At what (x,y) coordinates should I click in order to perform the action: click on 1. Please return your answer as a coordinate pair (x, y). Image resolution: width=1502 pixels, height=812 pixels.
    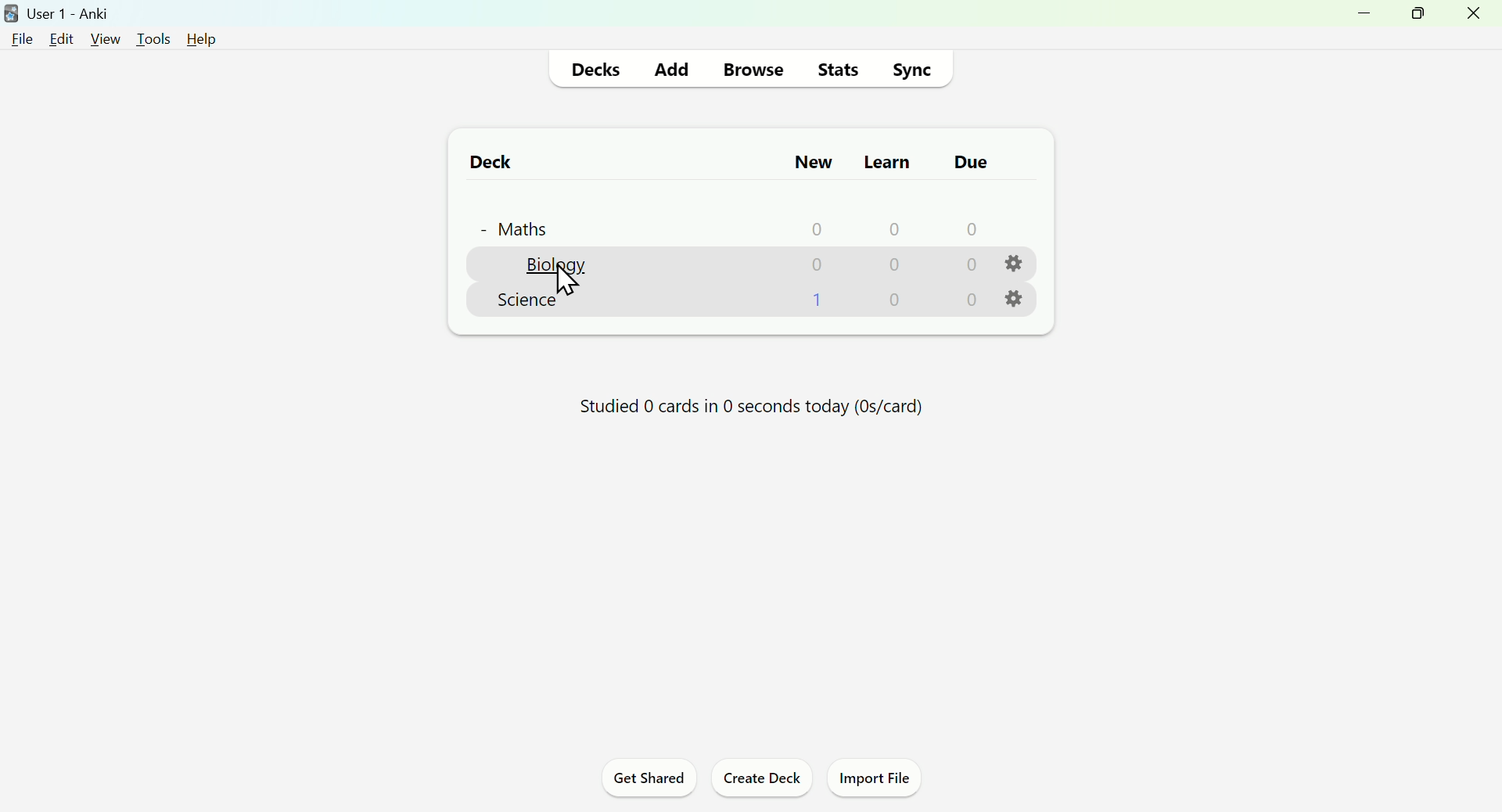
    Looking at the image, I should click on (820, 299).